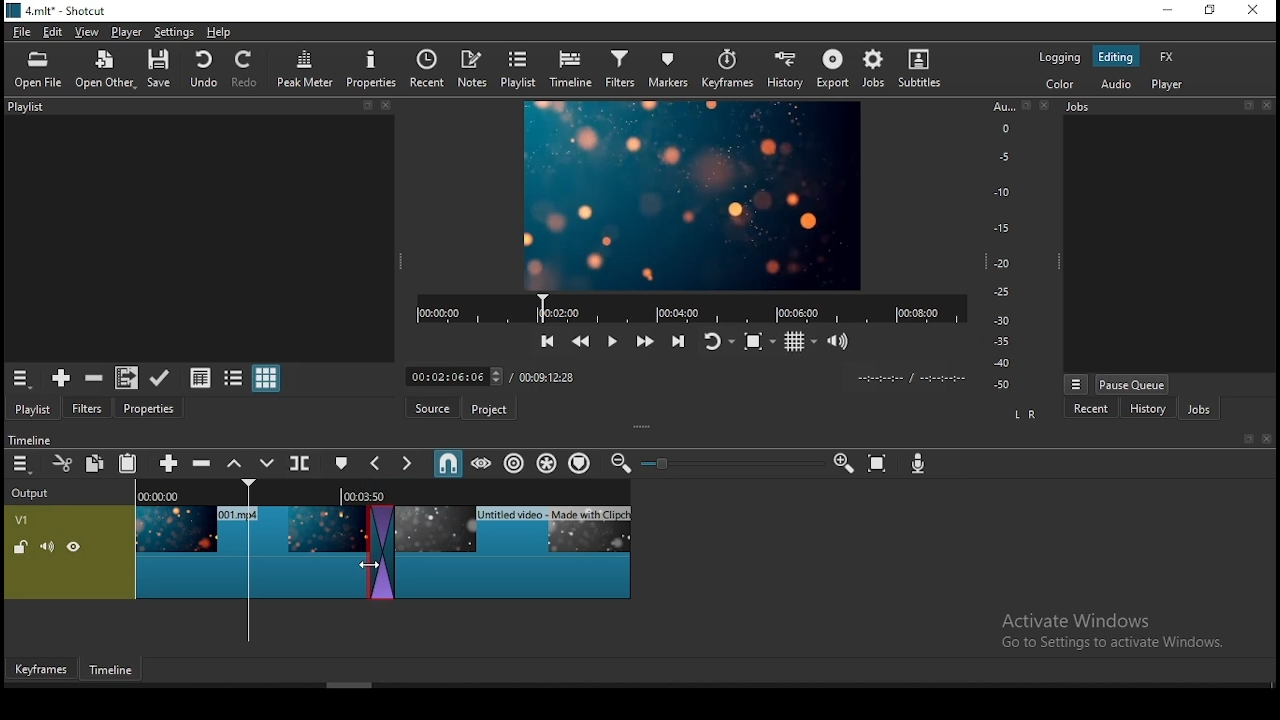  I want to click on view as icons, so click(267, 379).